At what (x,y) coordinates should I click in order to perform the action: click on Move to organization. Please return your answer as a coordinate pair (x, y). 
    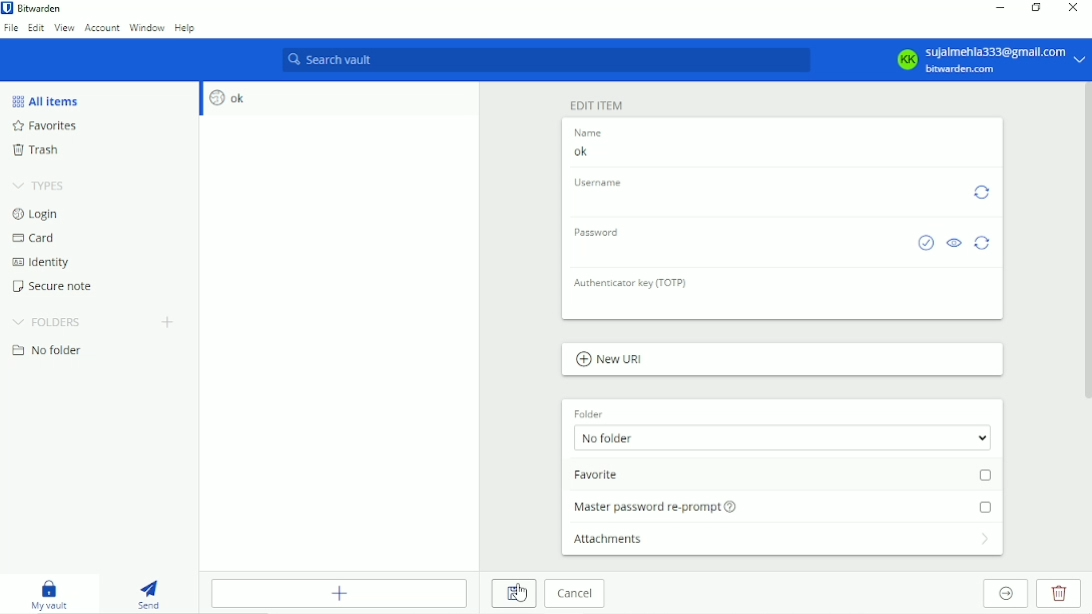
    Looking at the image, I should click on (1004, 593).